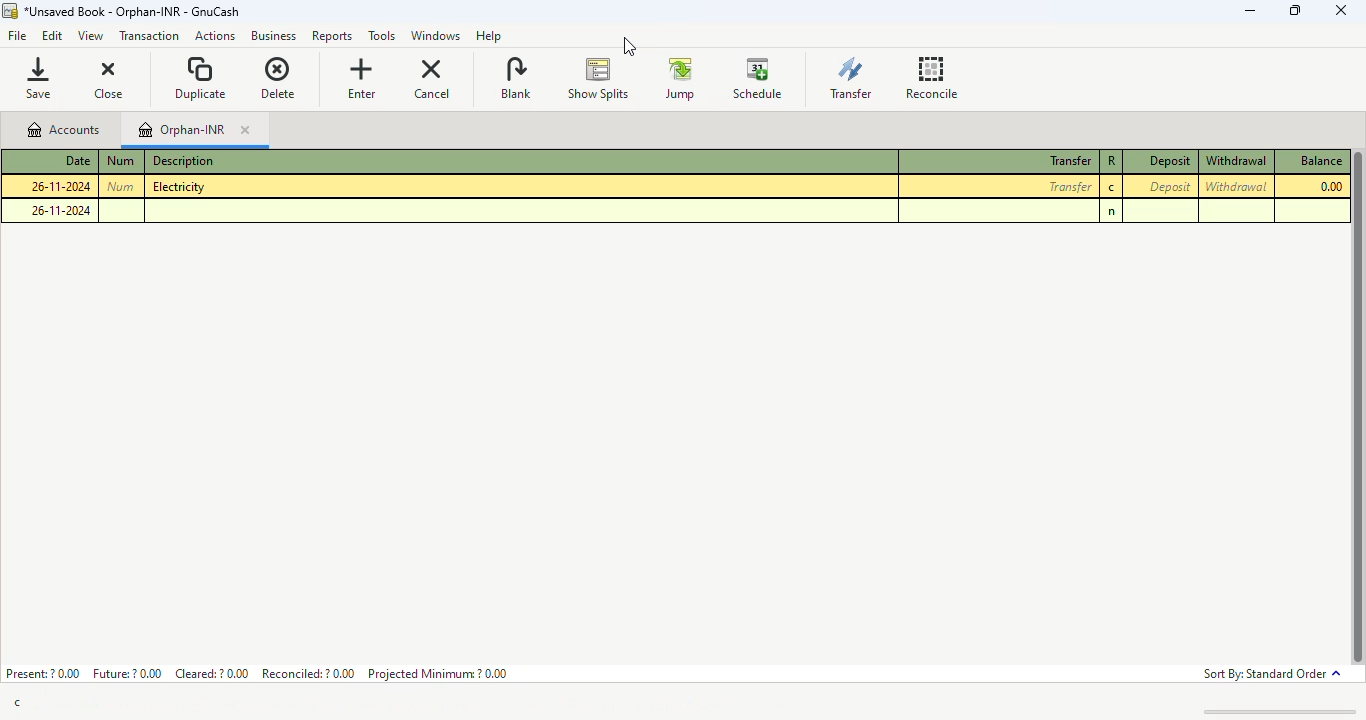 This screenshot has height=720, width=1366. What do you see at coordinates (382, 37) in the screenshot?
I see `tools` at bounding box center [382, 37].